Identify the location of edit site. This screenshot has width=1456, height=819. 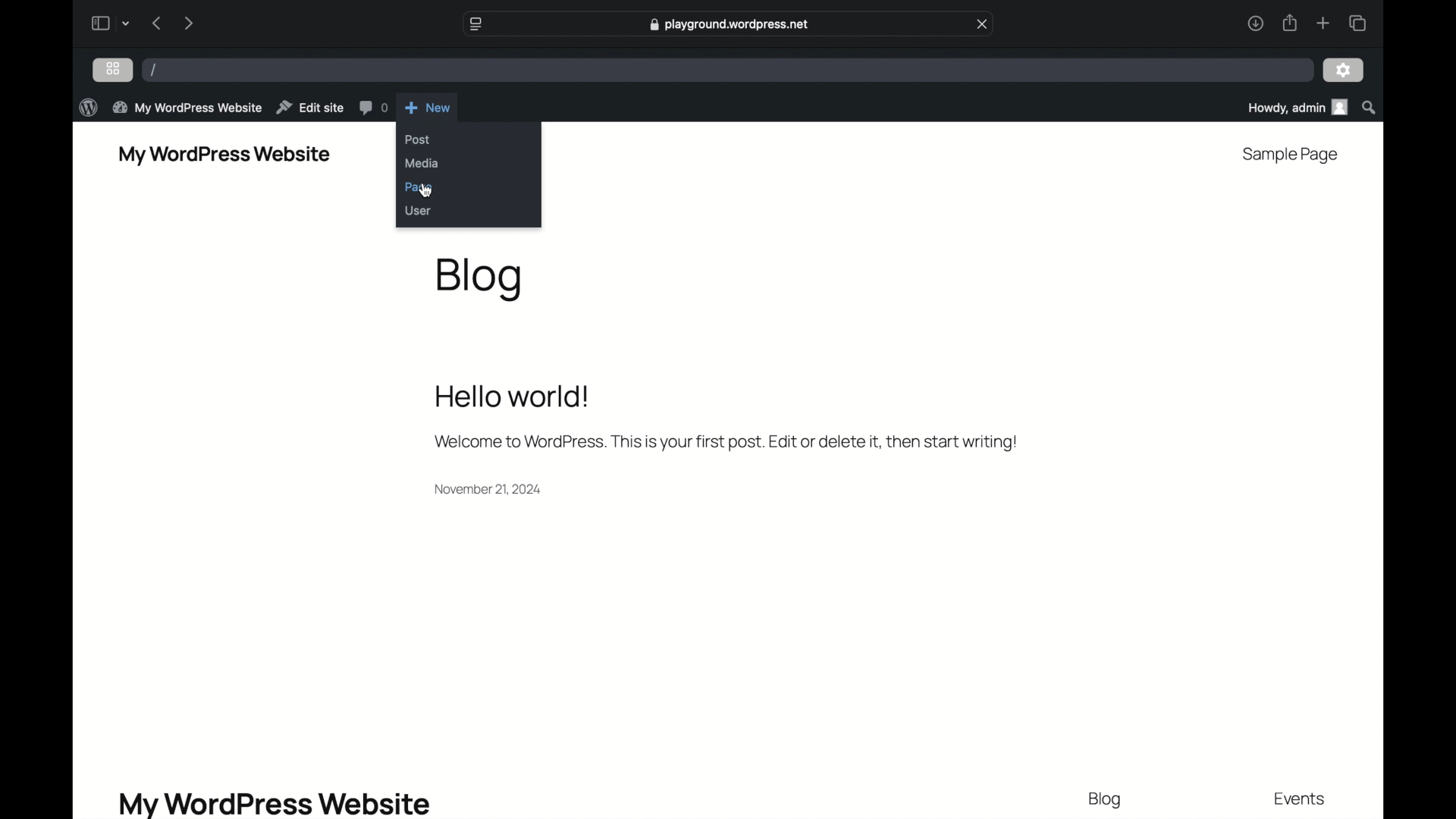
(309, 108).